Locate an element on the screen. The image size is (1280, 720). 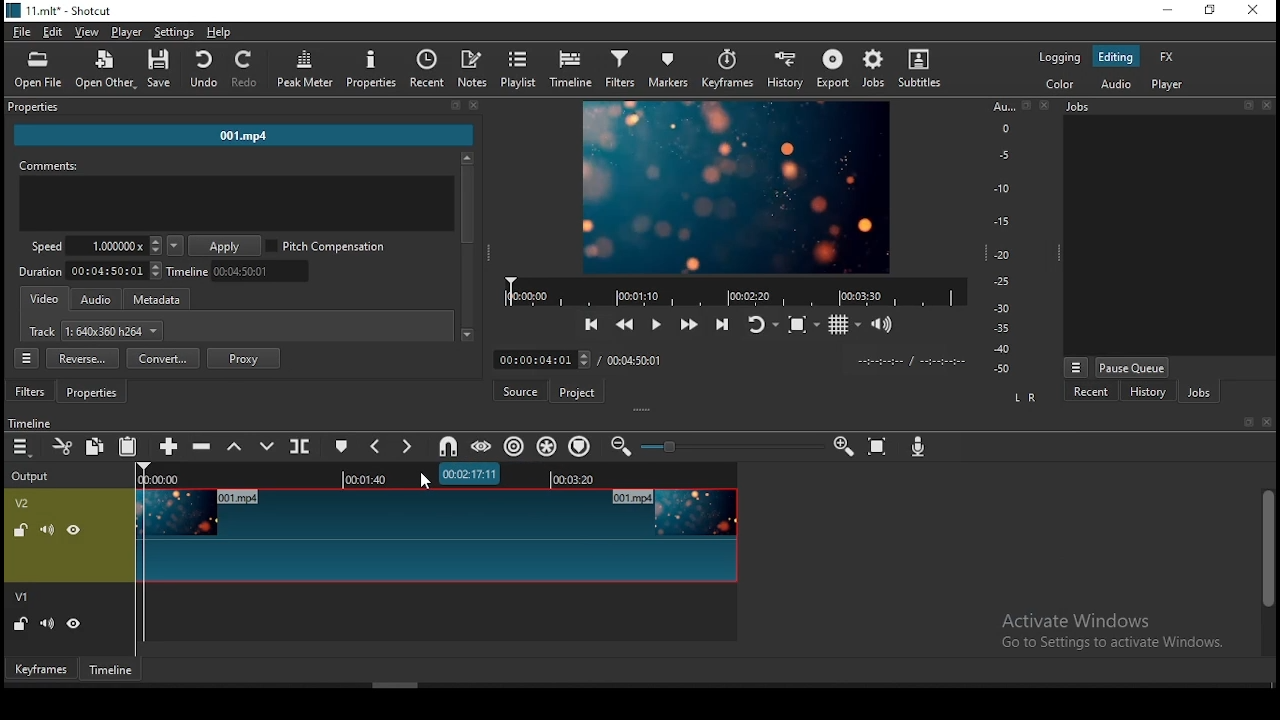
show volume control is located at coordinates (883, 327).